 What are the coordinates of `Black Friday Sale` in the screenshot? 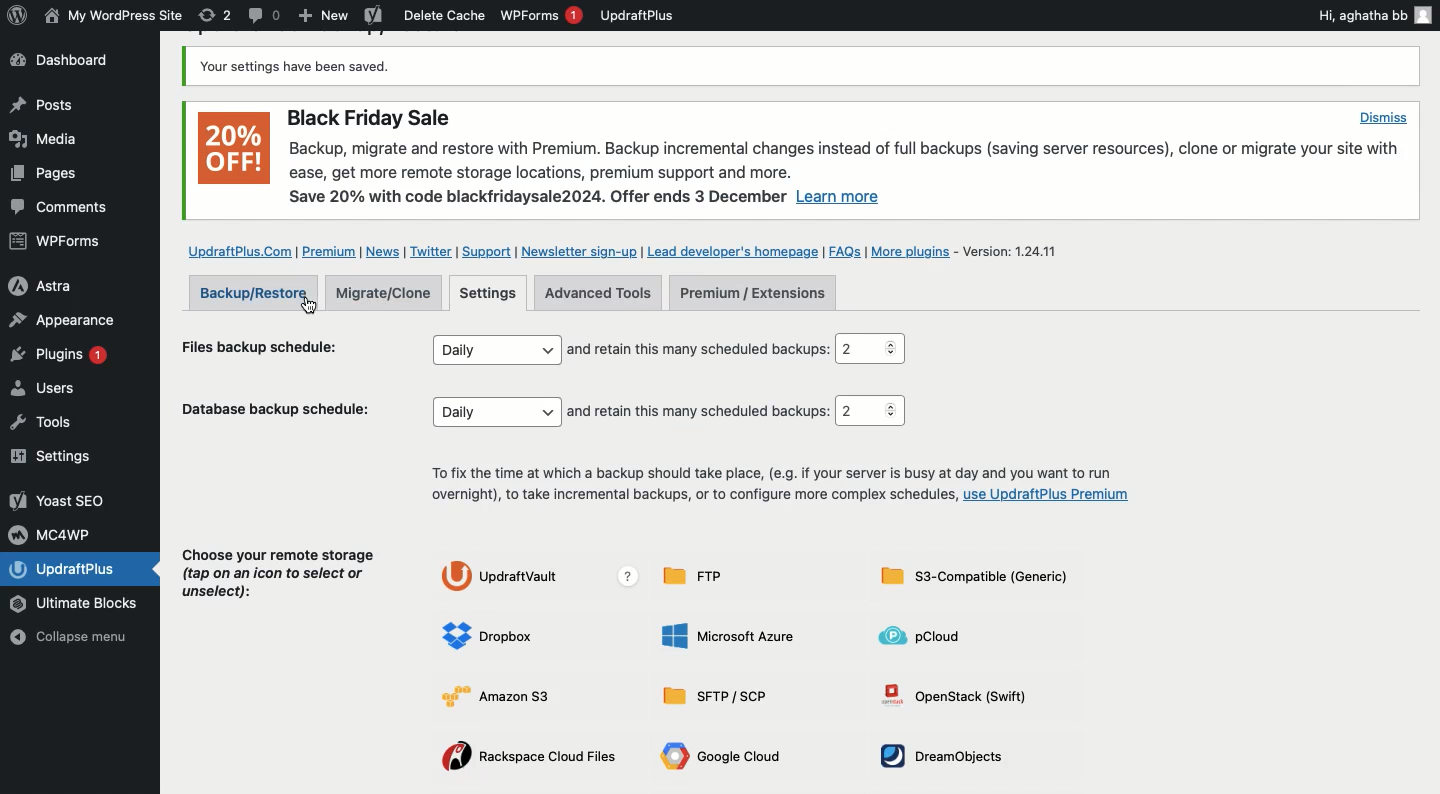 It's located at (371, 117).